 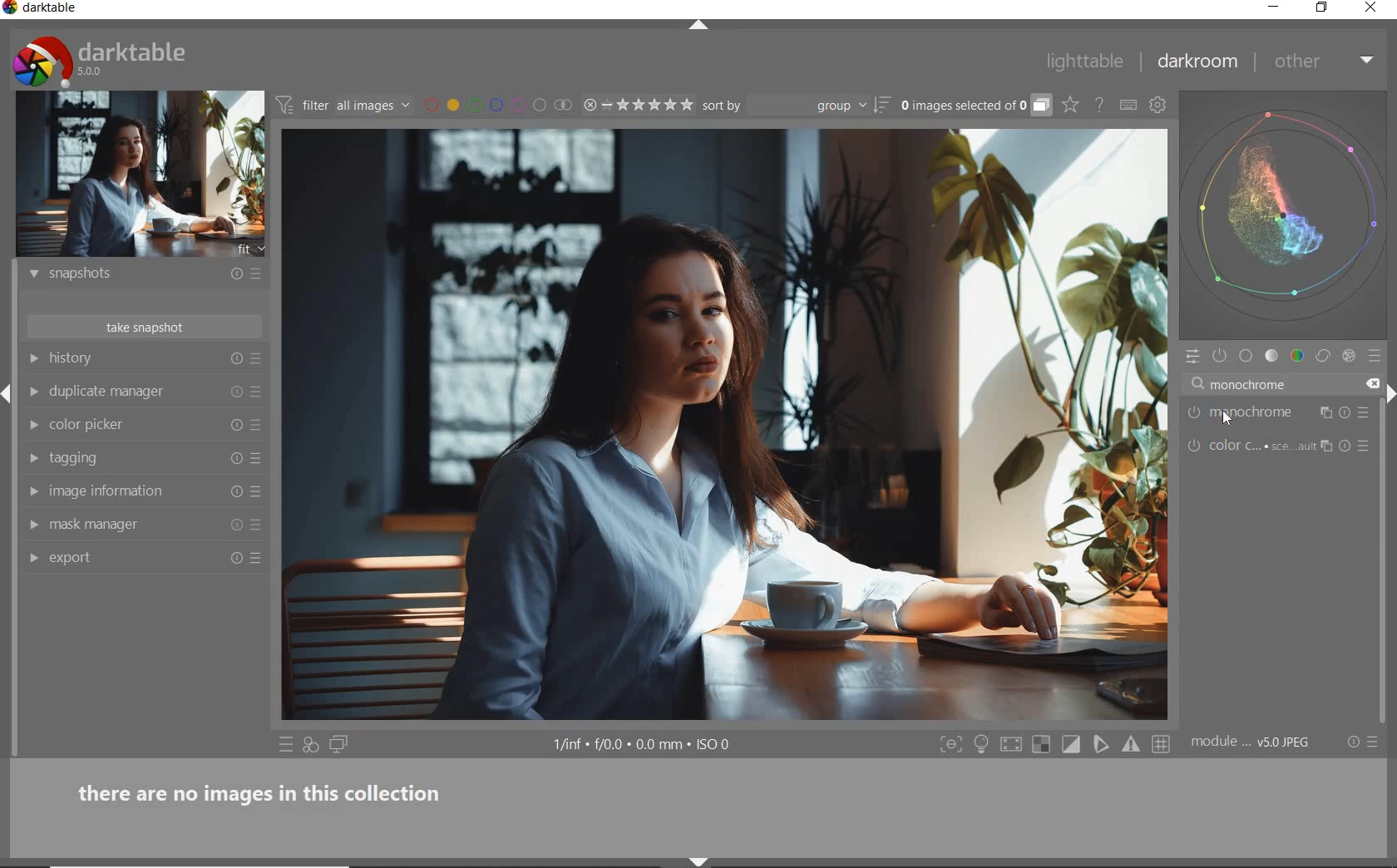 I want to click on quick access to preset, so click(x=286, y=744).